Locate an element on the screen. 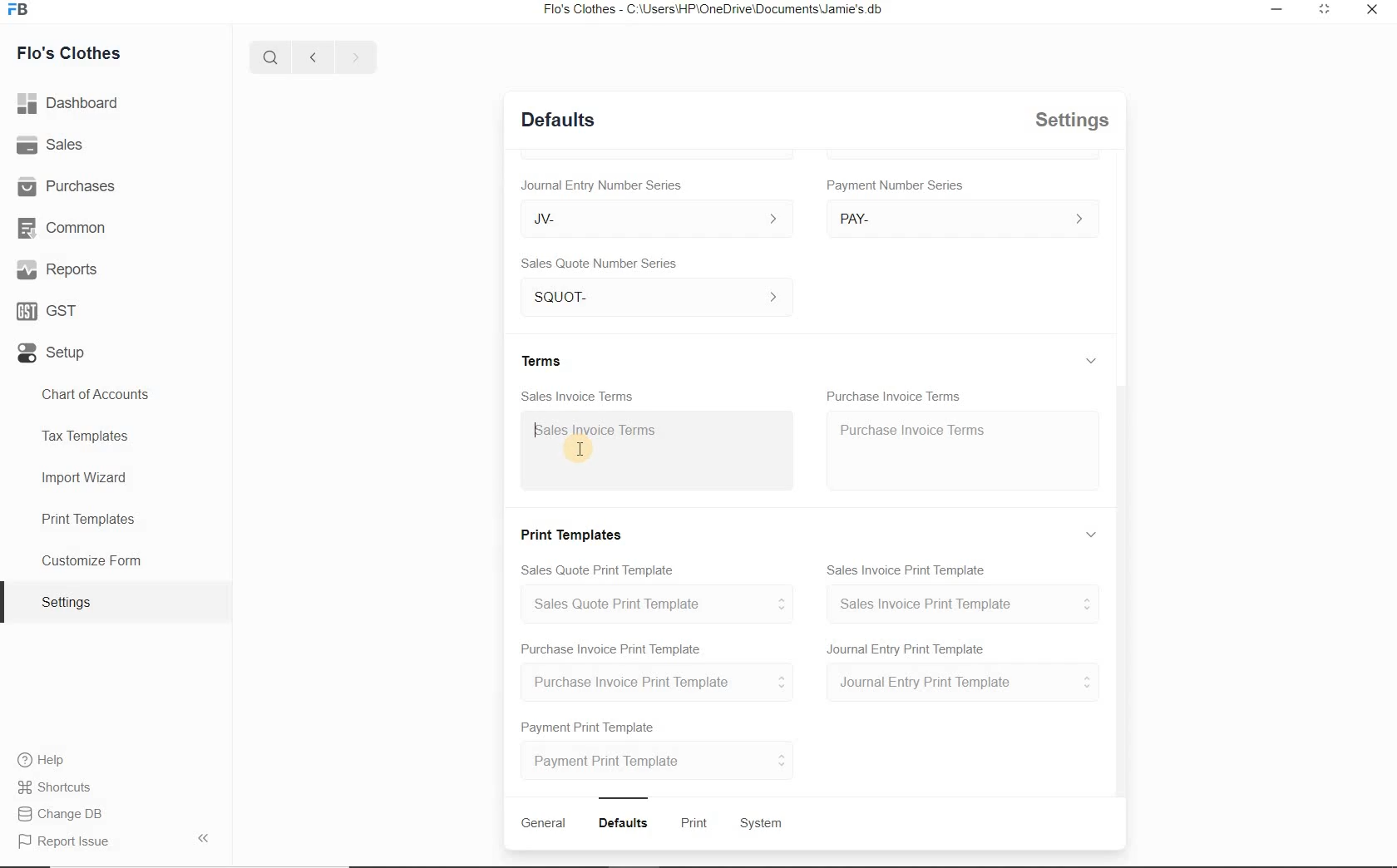 The height and width of the screenshot is (868, 1397). Print Templates is located at coordinates (86, 518).